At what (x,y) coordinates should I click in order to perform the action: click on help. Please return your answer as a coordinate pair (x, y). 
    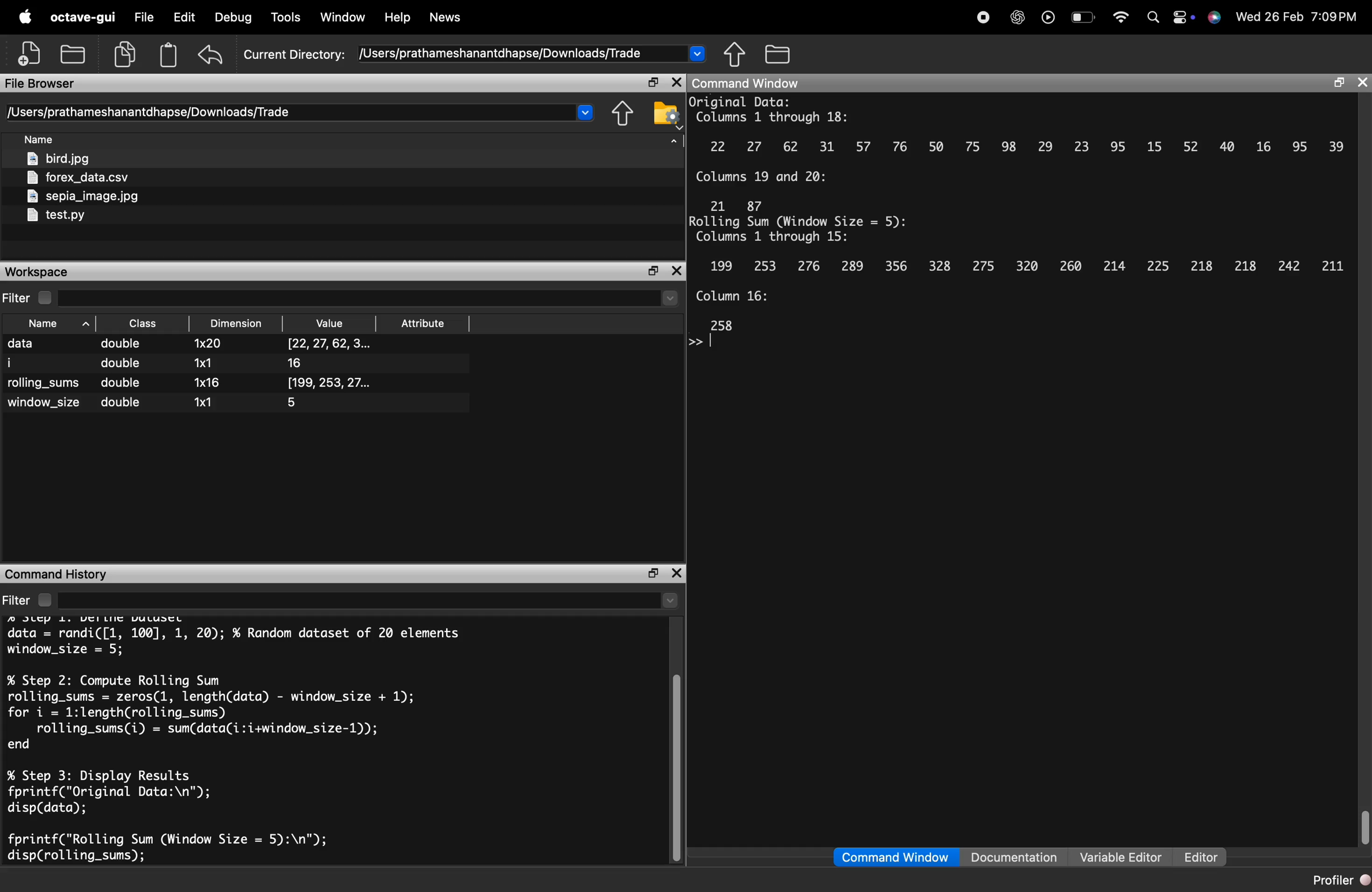
    Looking at the image, I should click on (398, 18).